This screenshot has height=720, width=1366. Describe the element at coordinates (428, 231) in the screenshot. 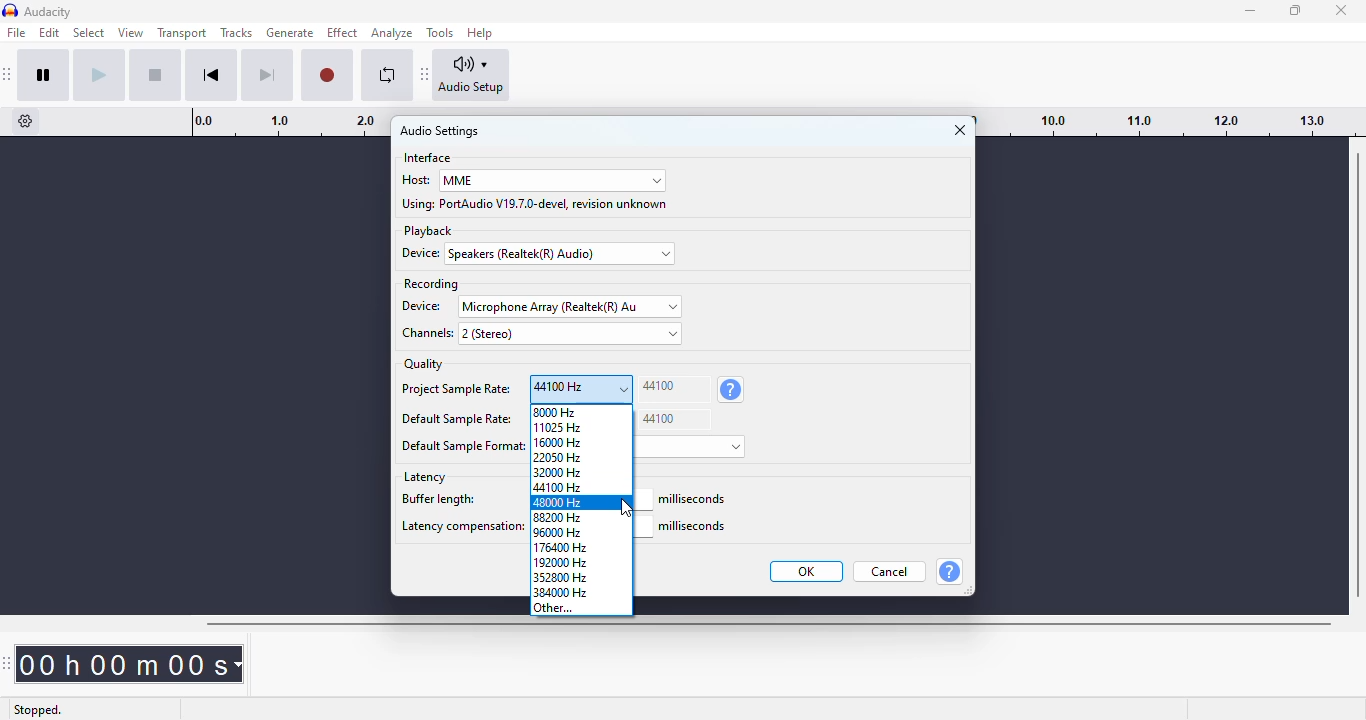

I see `playback` at that location.